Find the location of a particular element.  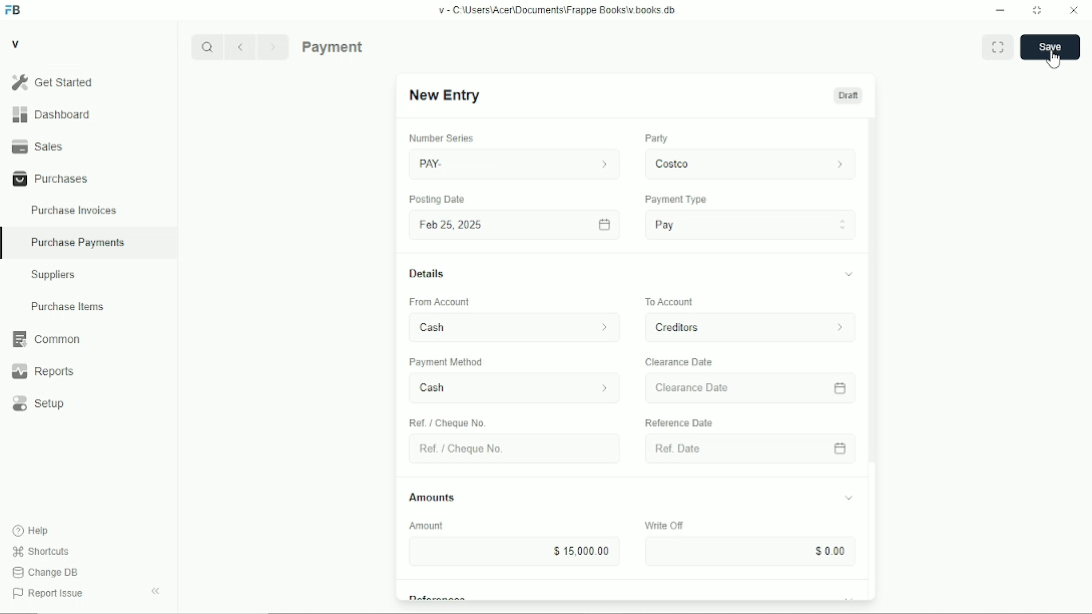

To Account is located at coordinates (667, 300).